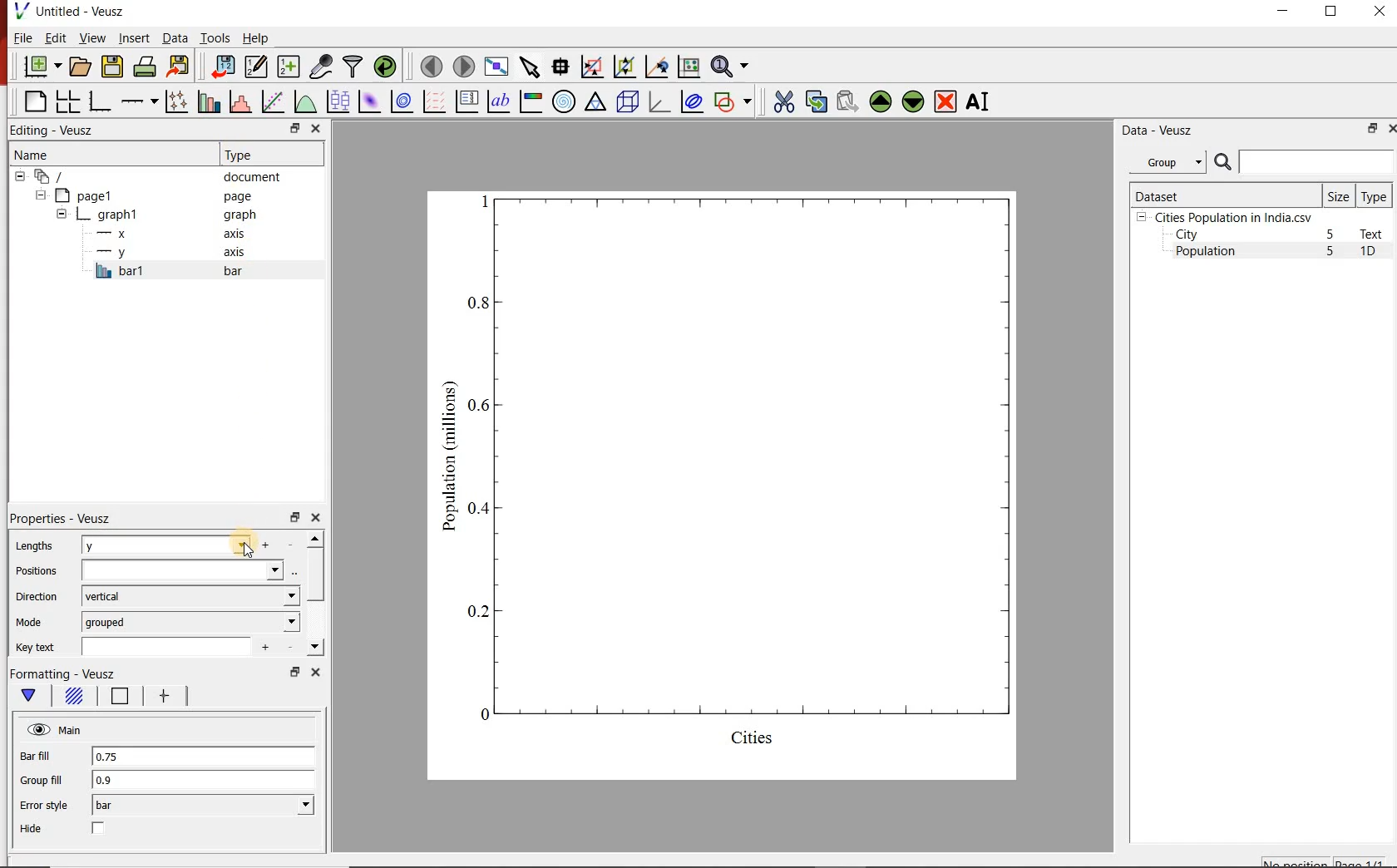 The image size is (1397, 868). Describe the element at coordinates (564, 101) in the screenshot. I see `polar graph` at that location.